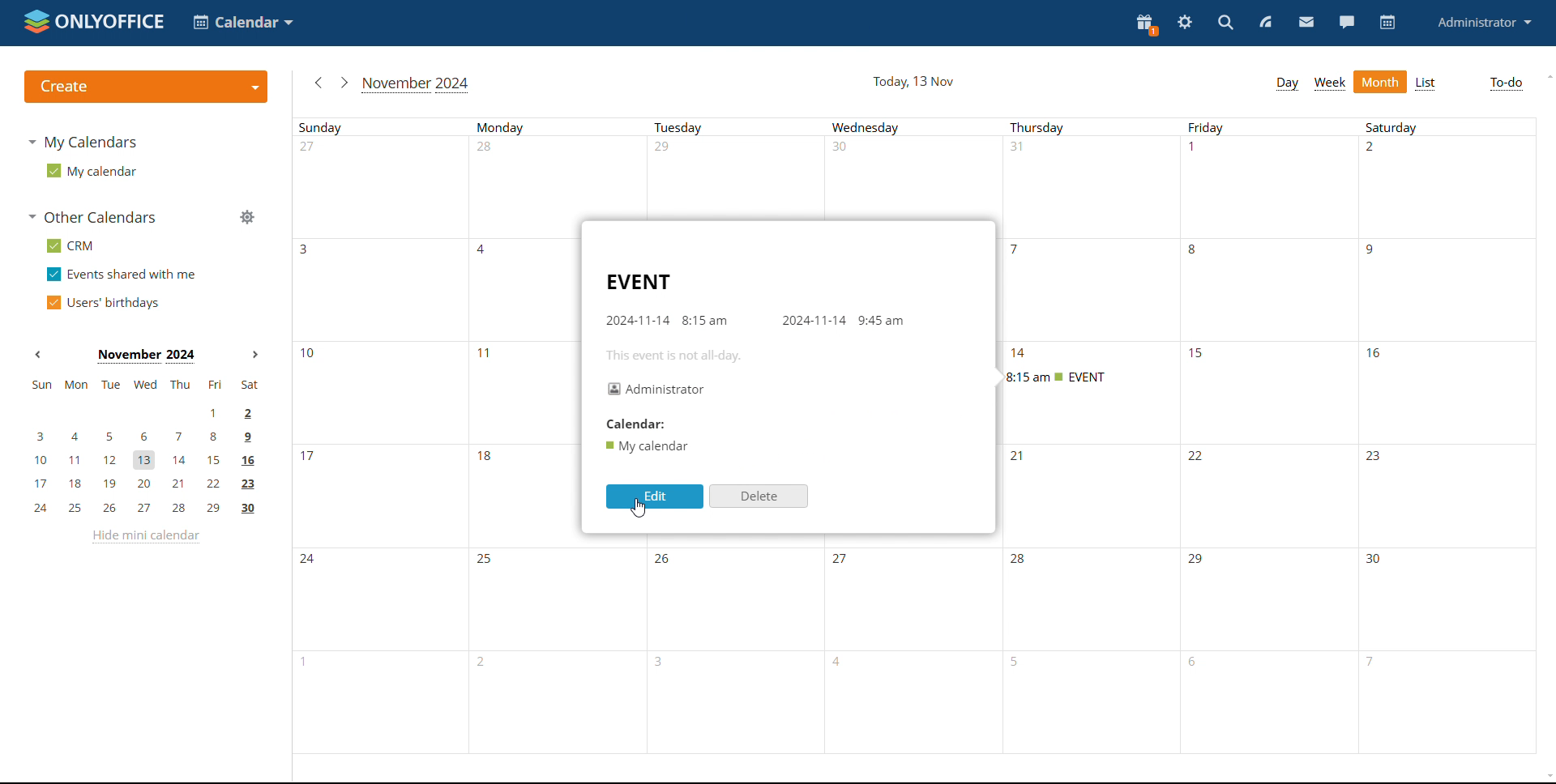 The height and width of the screenshot is (784, 1556). I want to click on create, so click(145, 88).